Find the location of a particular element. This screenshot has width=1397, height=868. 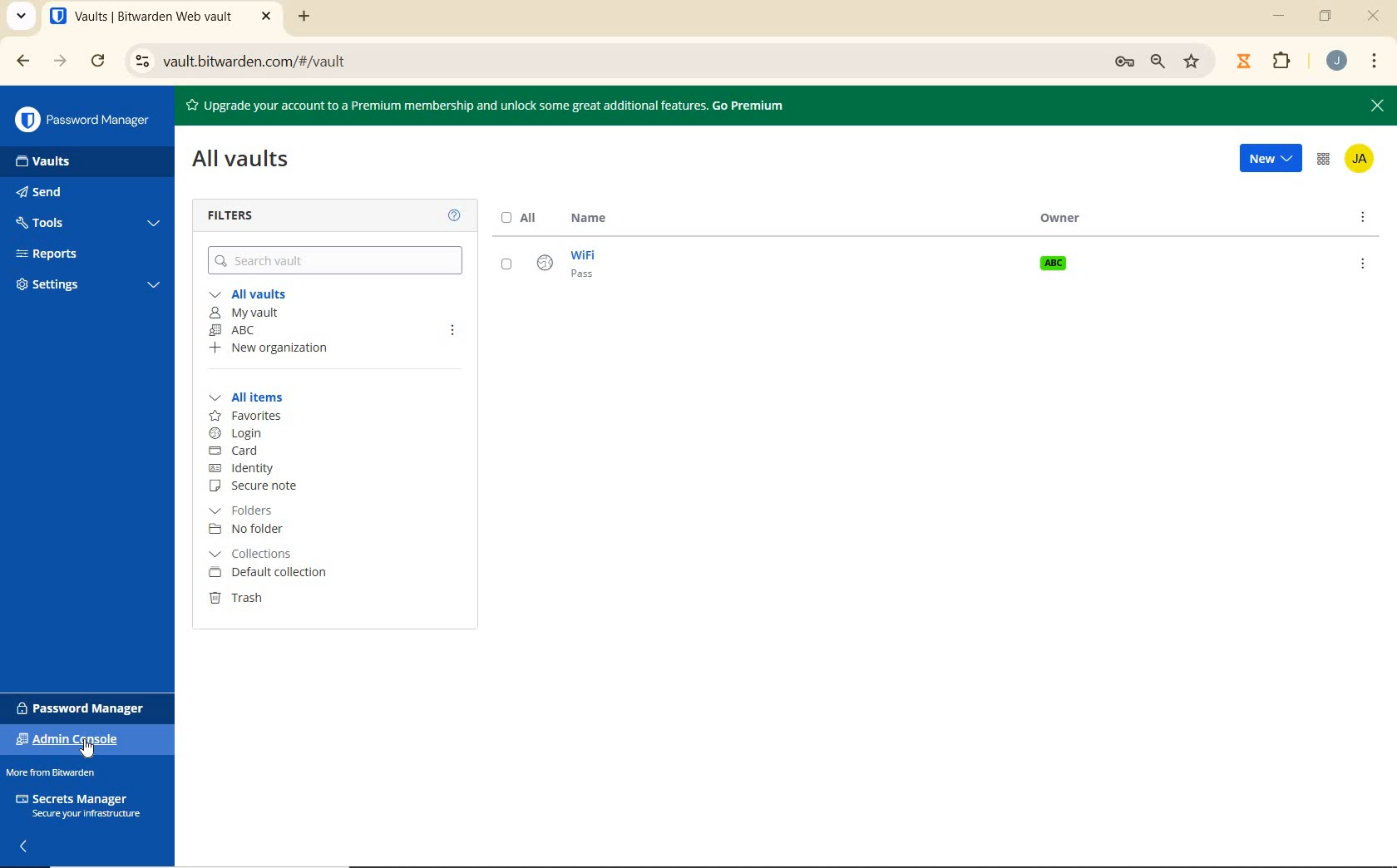

ALL is located at coordinates (521, 218).